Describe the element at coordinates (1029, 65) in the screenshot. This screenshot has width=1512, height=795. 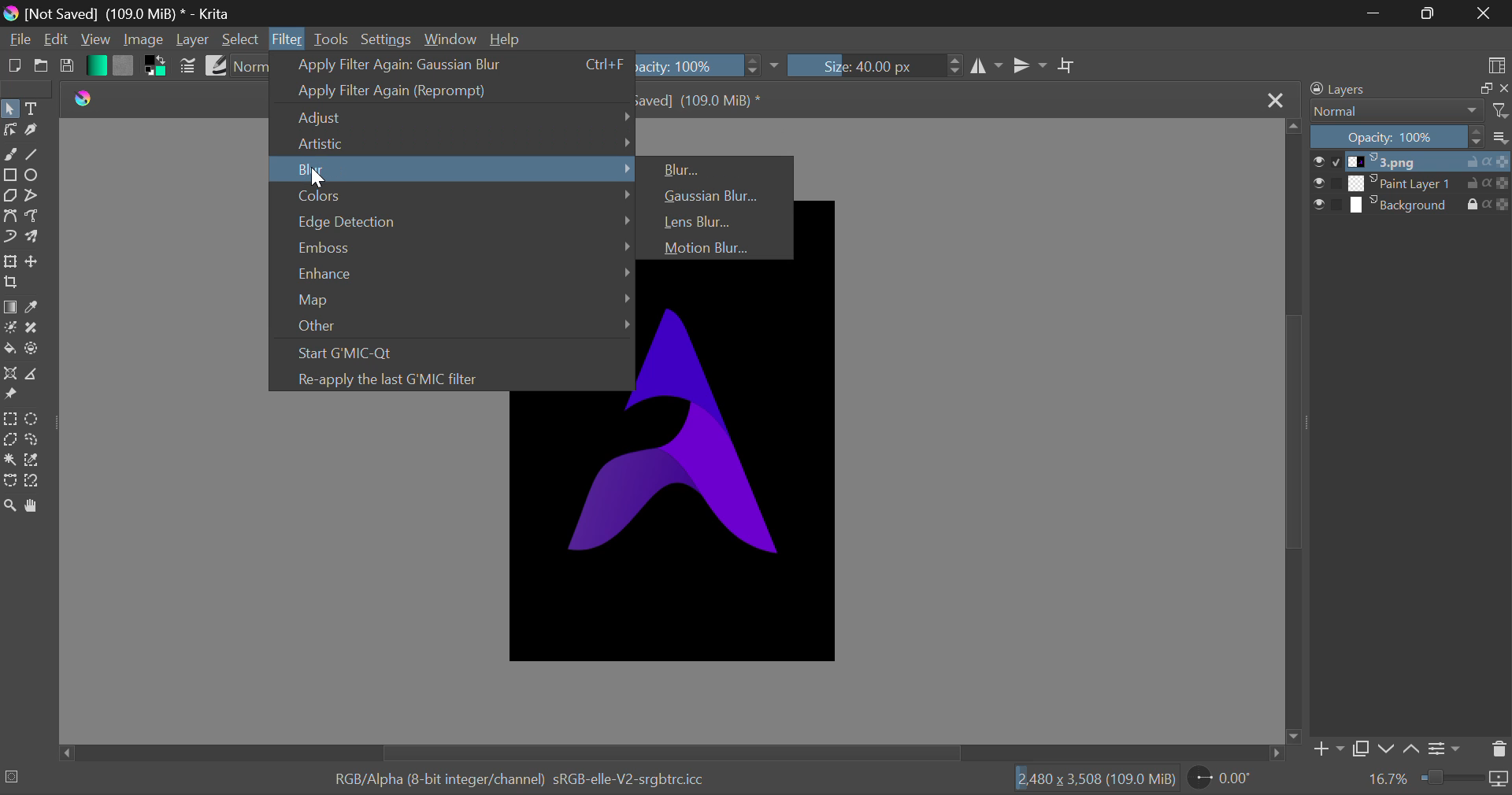
I see `Horizontal Mirror Flip` at that location.